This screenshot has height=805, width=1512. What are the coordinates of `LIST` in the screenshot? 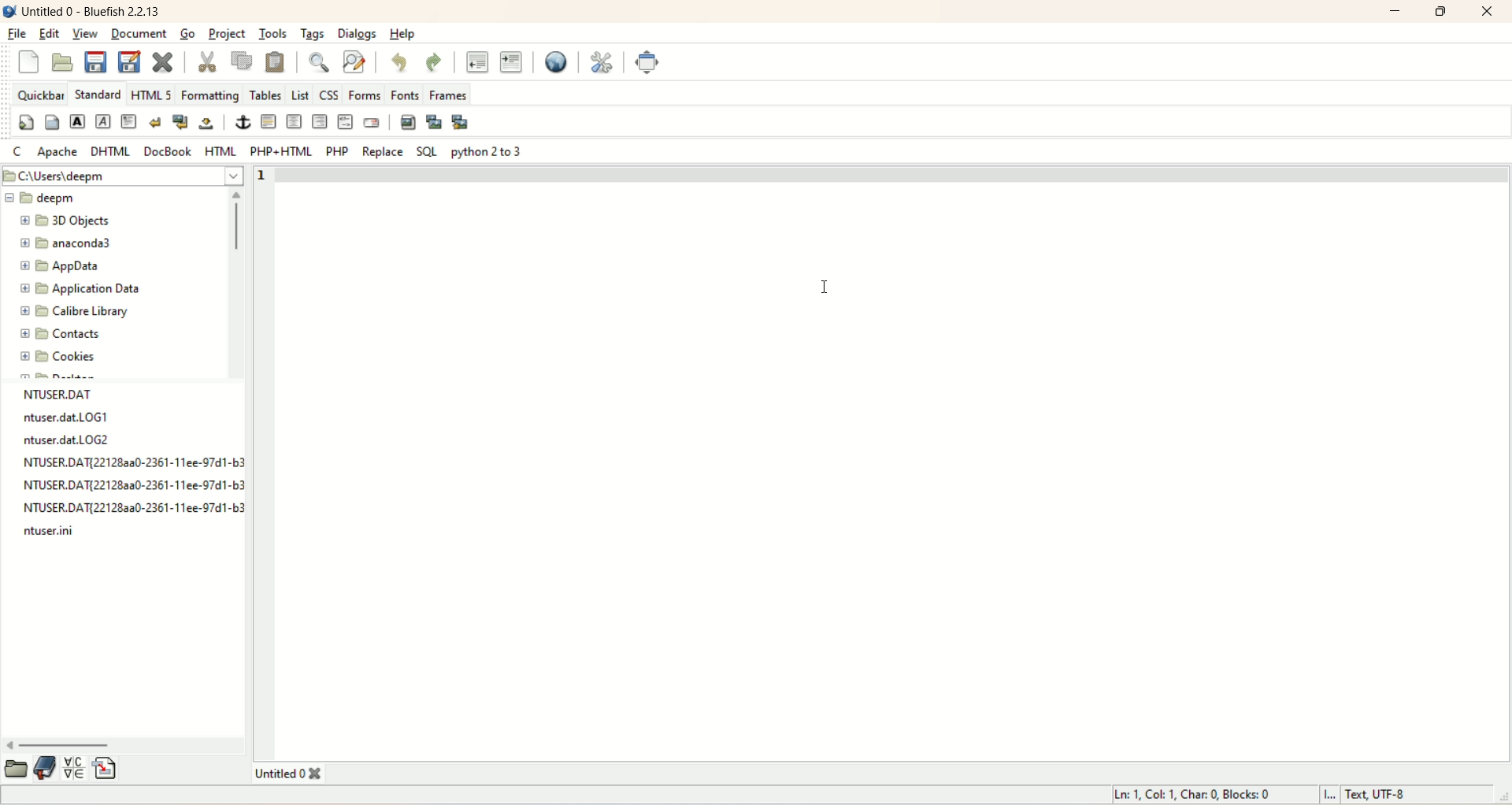 It's located at (300, 93).